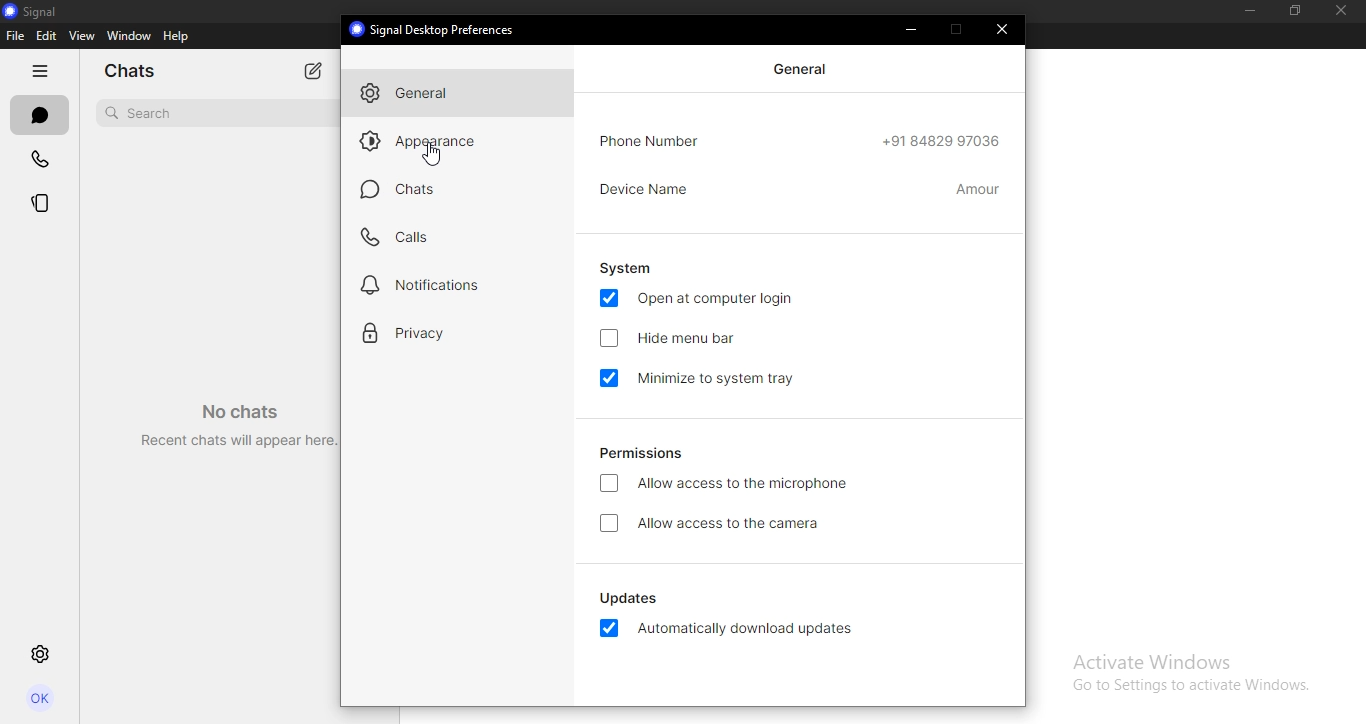 The image size is (1366, 724). What do you see at coordinates (37, 11) in the screenshot?
I see `signal logo` at bounding box center [37, 11].